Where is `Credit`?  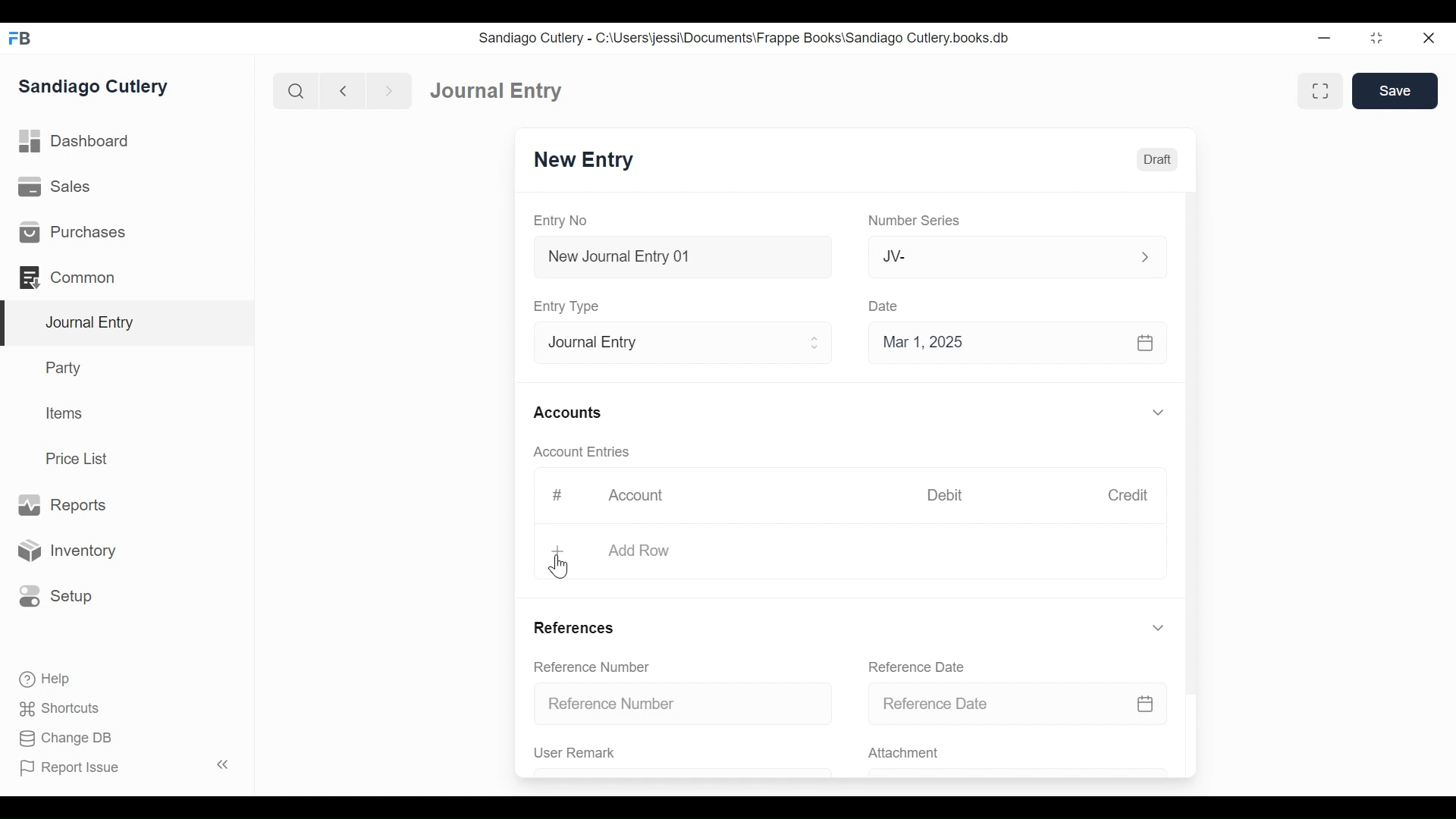
Credit is located at coordinates (1128, 495).